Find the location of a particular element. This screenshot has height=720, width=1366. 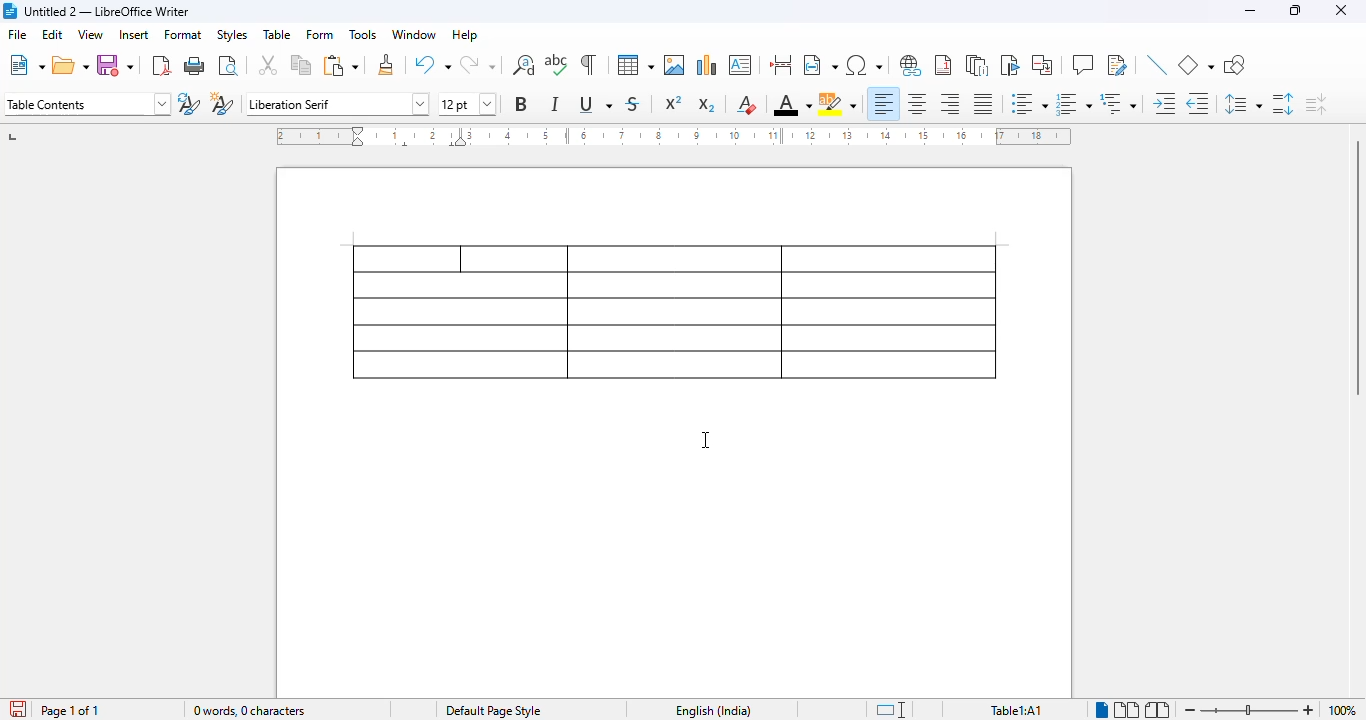

view is located at coordinates (90, 34).